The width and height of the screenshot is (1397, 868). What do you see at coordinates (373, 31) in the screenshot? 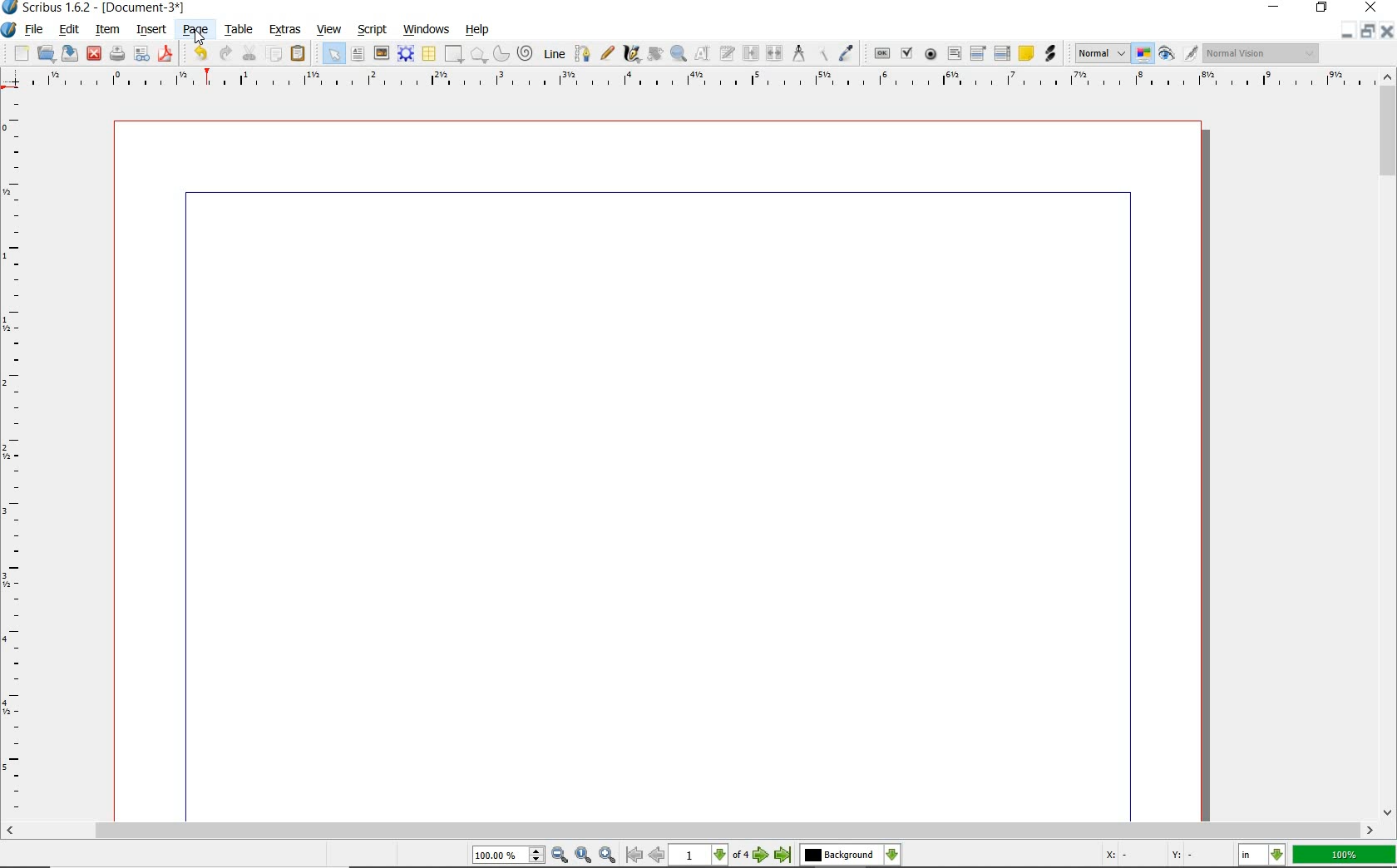
I see `script` at bounding box center [373, 31].